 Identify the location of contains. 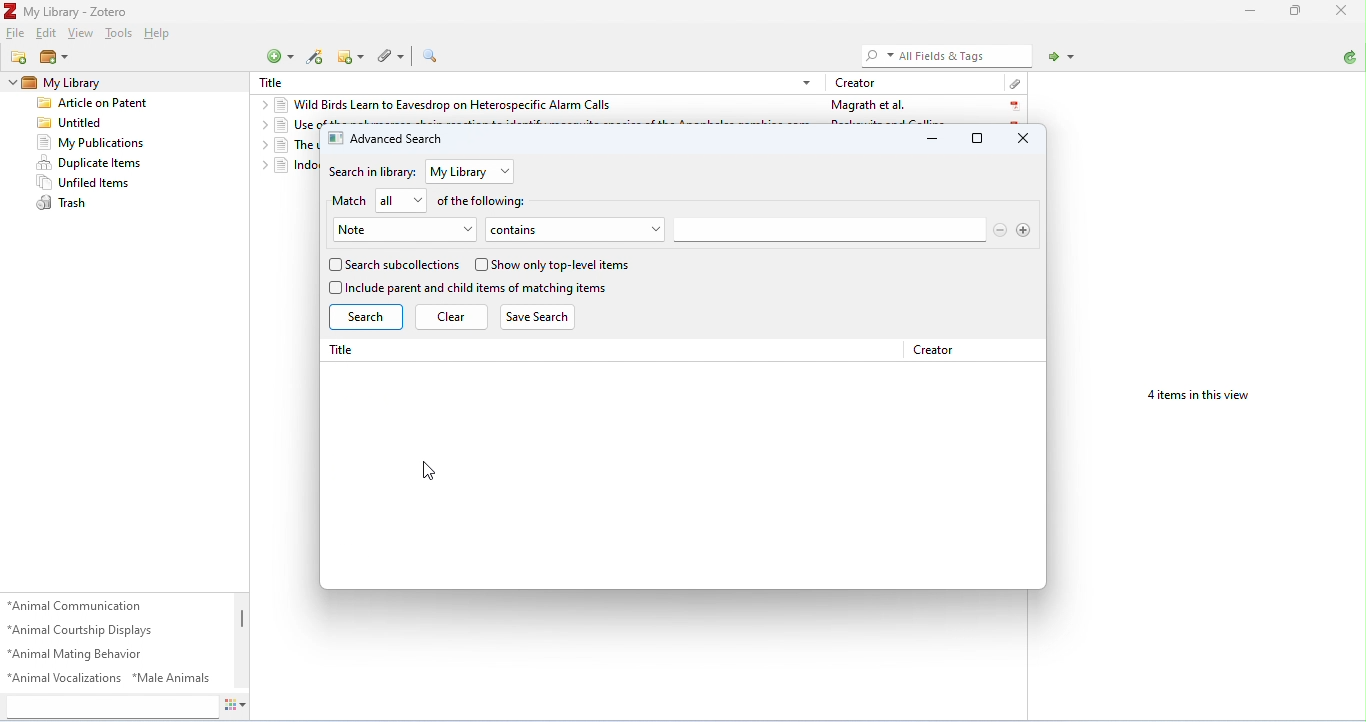
(562, 229).